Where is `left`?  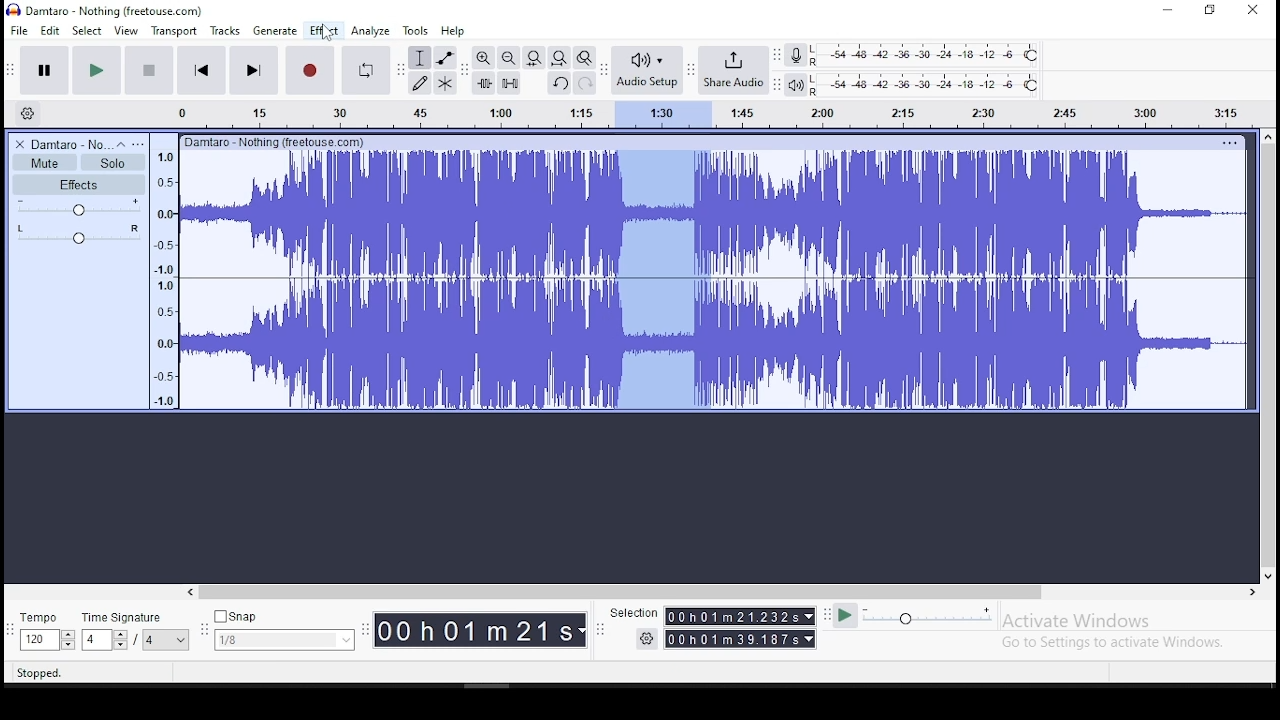 left is located at coordinates (189, 592).